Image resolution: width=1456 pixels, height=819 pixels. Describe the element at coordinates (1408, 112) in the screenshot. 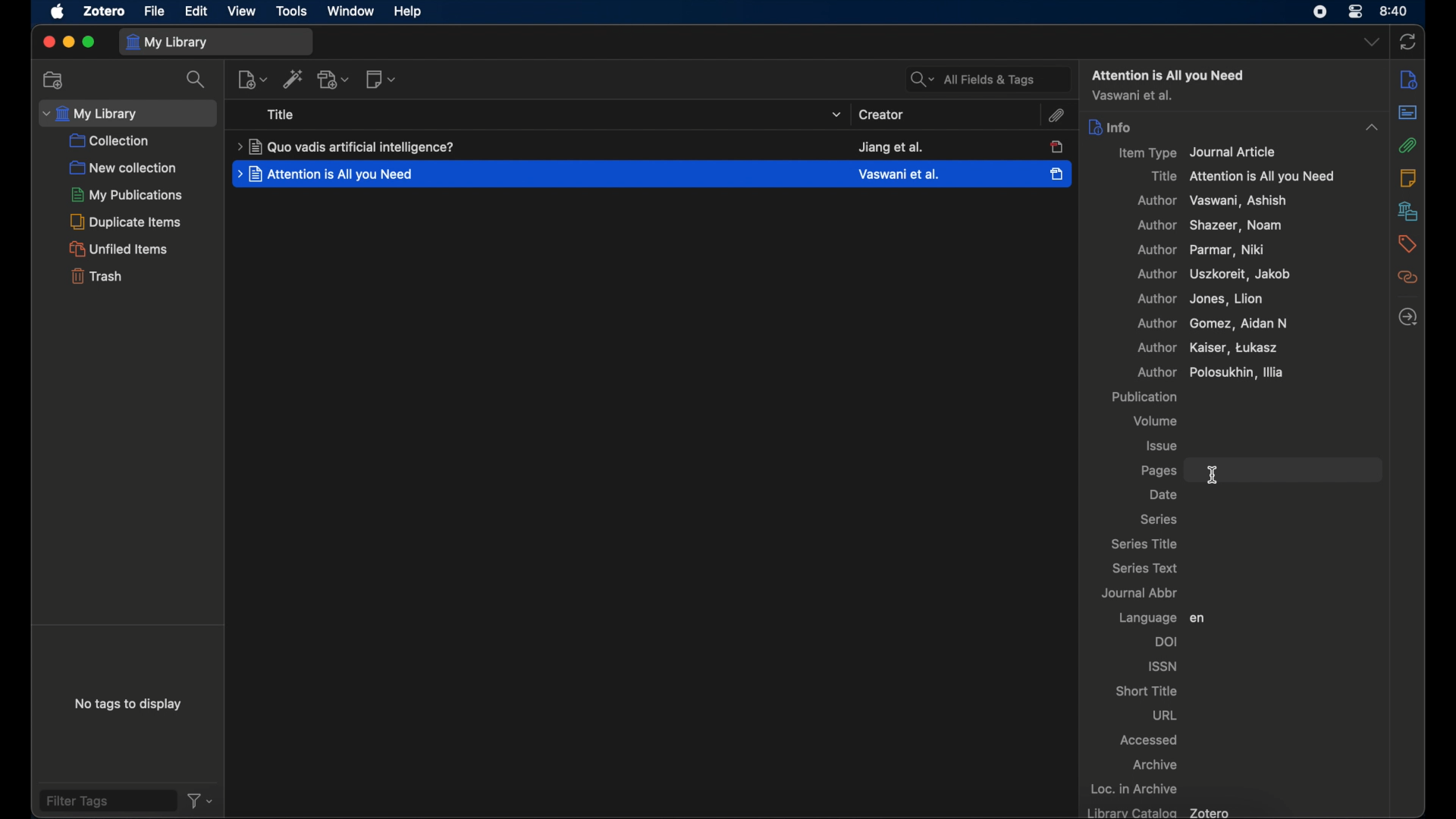

I see `abstract` at that location.